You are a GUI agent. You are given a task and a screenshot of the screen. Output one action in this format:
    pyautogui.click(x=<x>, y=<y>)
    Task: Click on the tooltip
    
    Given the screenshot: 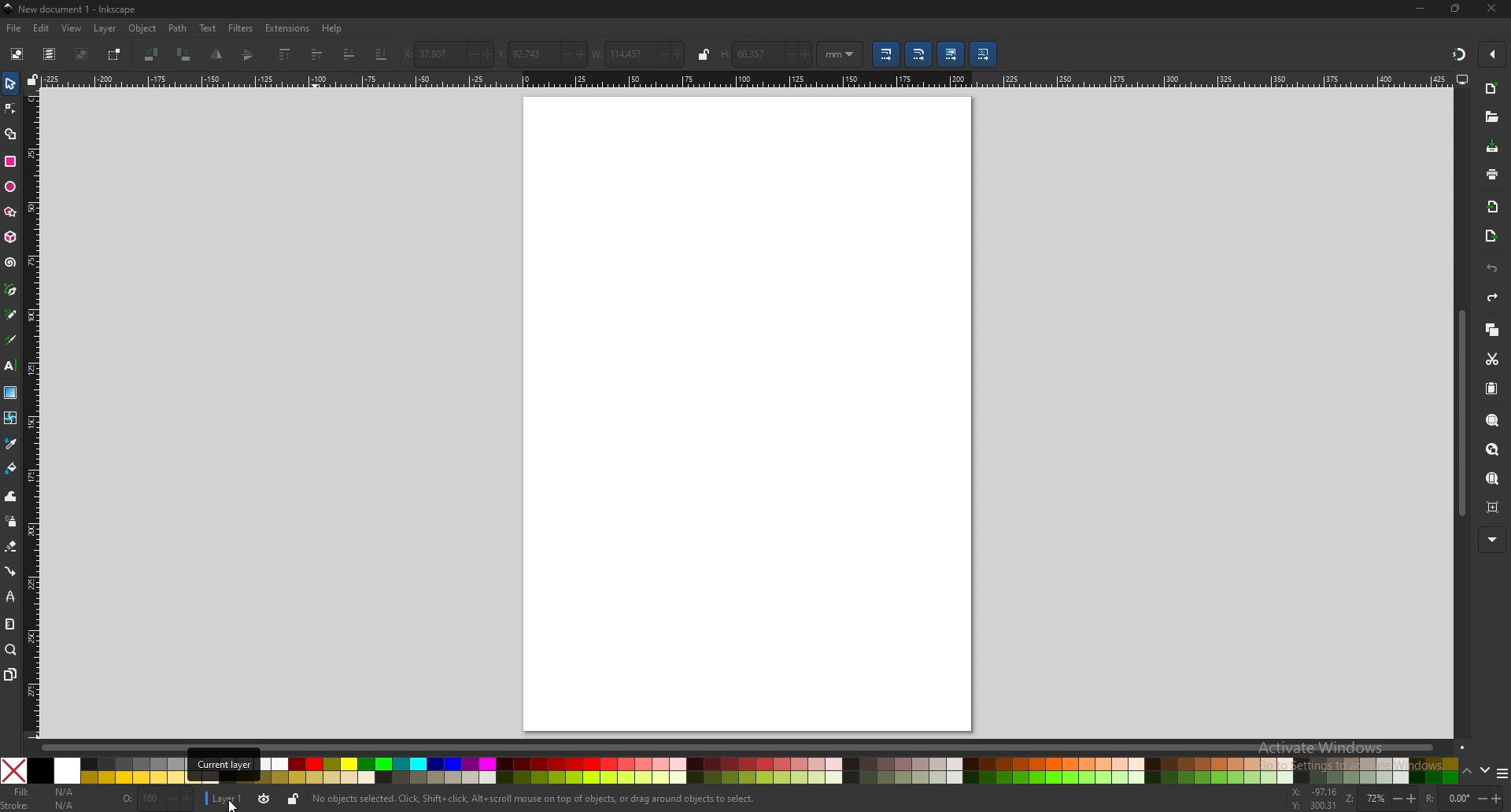 What is the action you would take?
    pyautogui.click(x=224, y=765)
    